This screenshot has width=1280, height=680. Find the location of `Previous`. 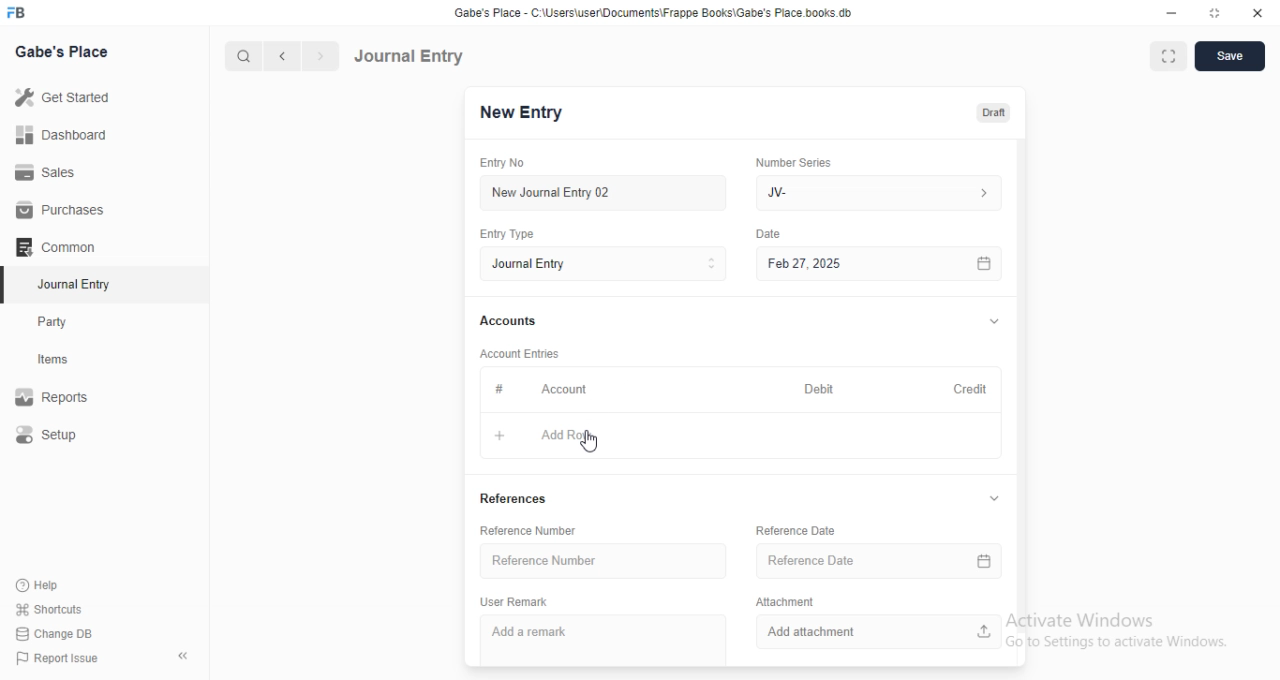

Previous is located at coordinates (283, 57).